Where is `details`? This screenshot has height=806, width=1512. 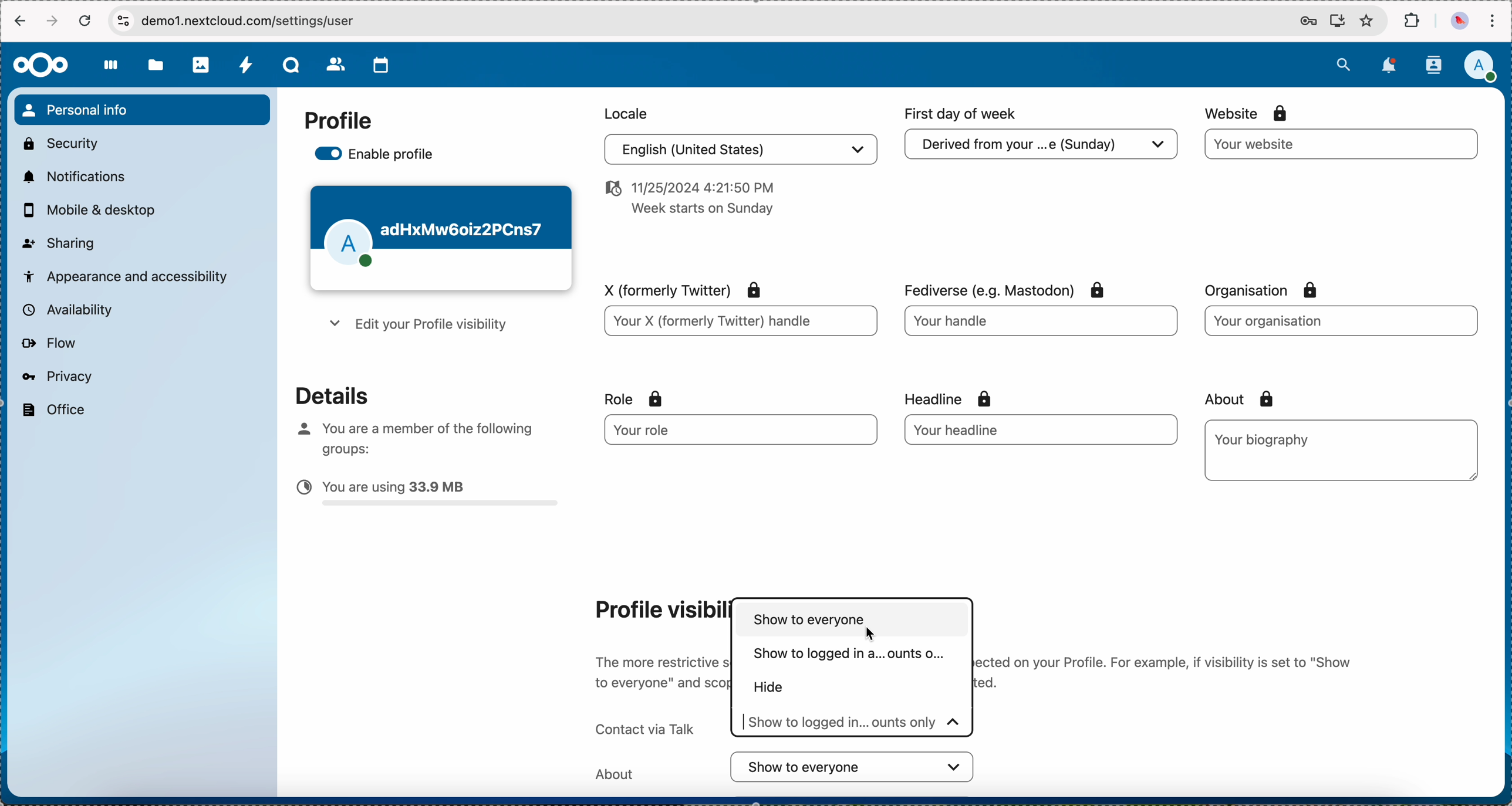
details is located at coordinates (322, 394).